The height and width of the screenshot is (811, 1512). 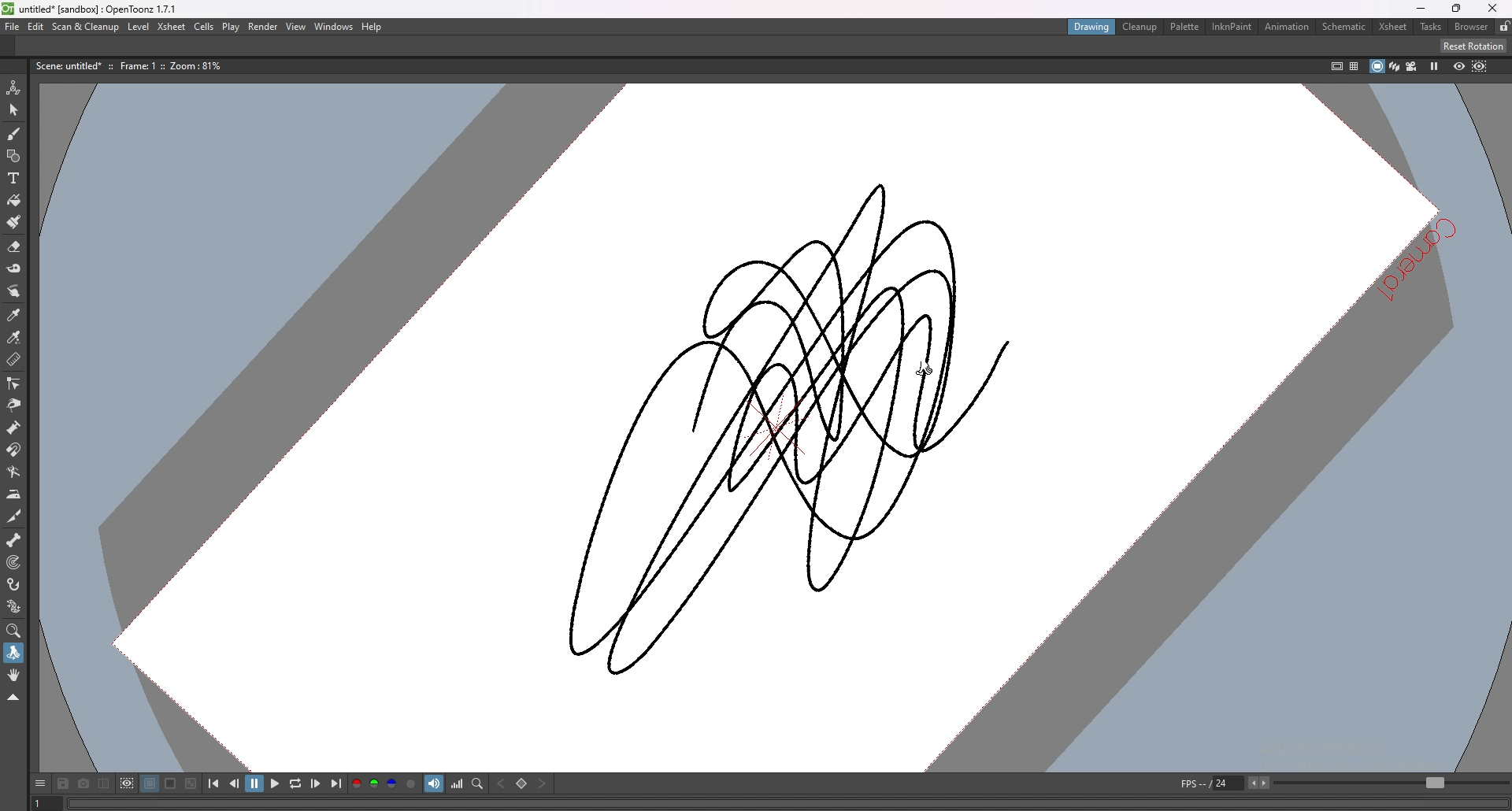 What do you see at coordinates (1346, 26) in the screenshot?
I see `schematic` at bounding box center [1346, 26].